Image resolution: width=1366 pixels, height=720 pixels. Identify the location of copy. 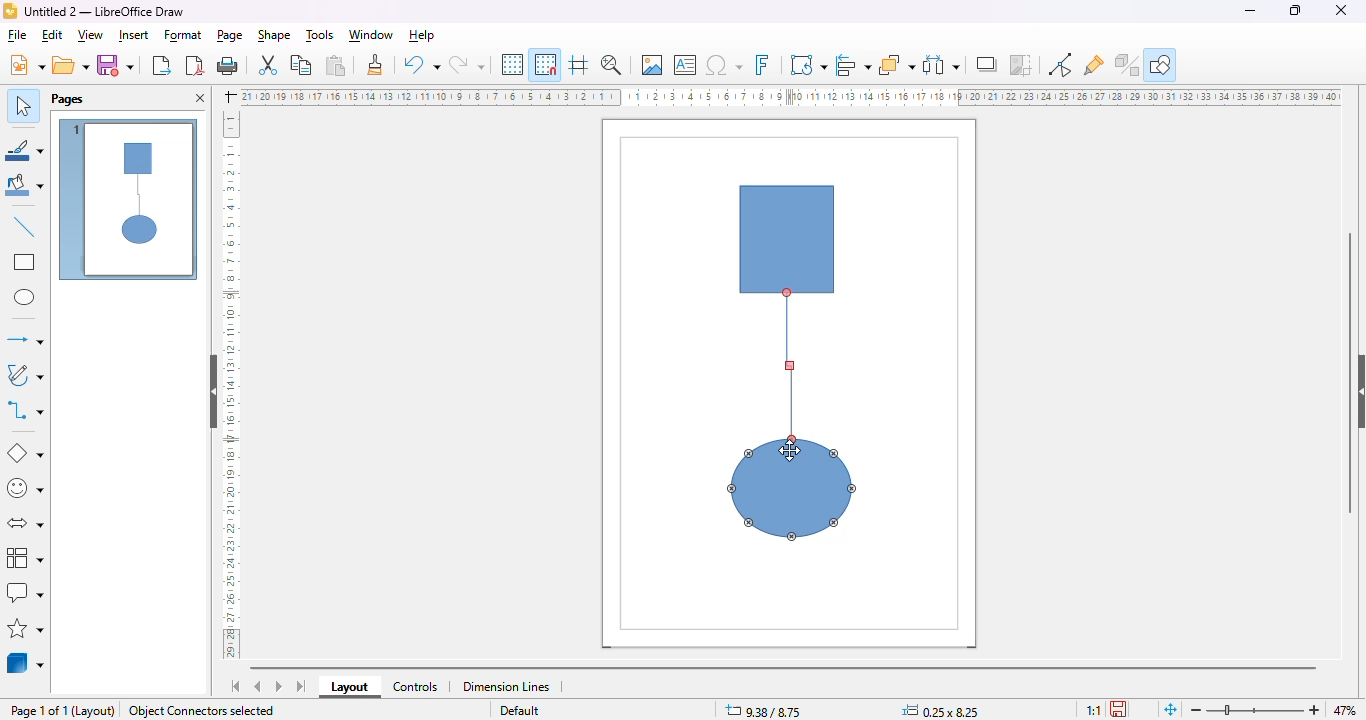
(301, 65).